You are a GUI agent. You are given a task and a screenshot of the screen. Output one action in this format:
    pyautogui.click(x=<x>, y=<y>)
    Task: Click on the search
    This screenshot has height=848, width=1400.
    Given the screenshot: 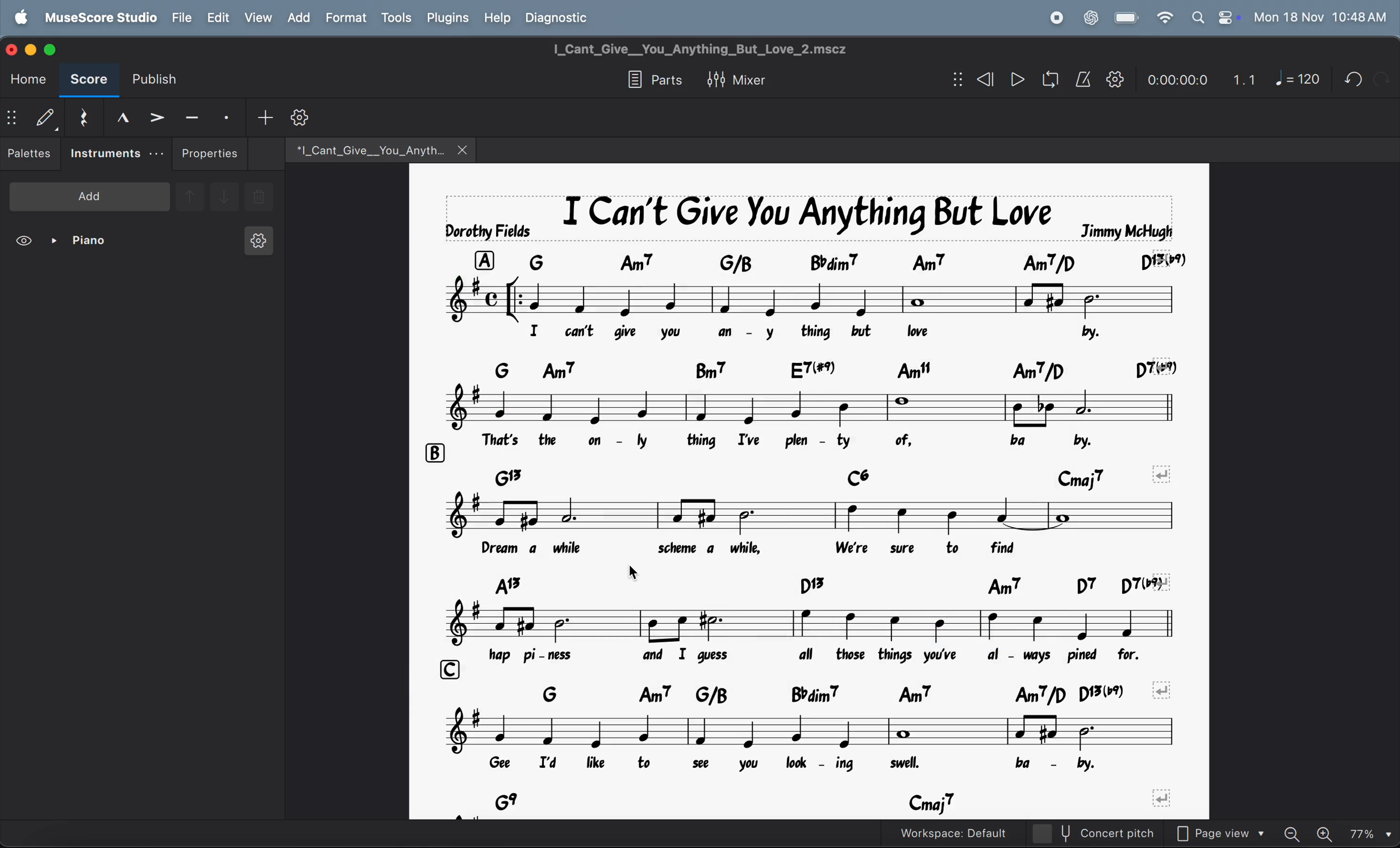 What is the action you would take?
    pyautogui.click(x=1197, y=17)
    